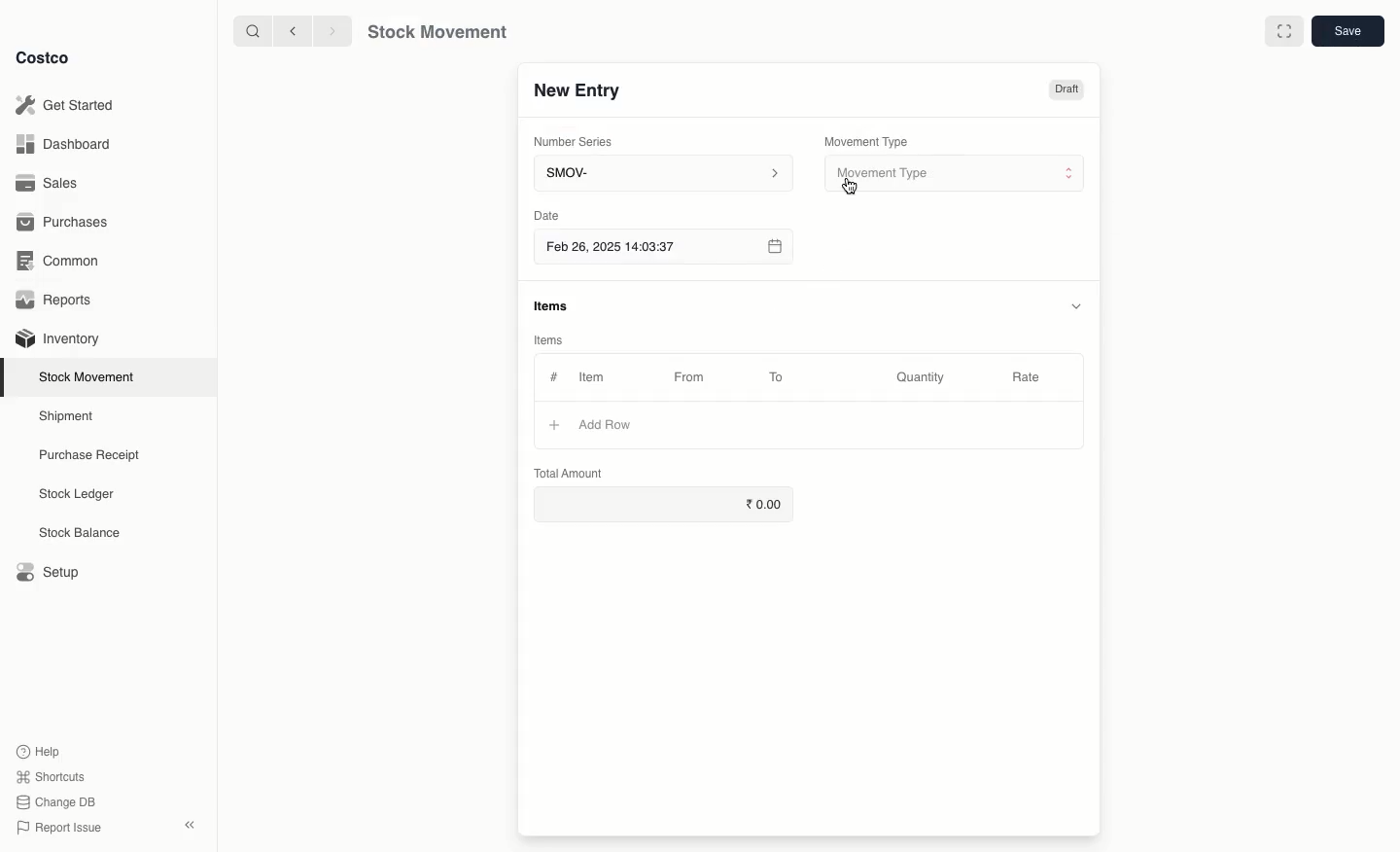 The width and height of the screenshot is (1400, 852). Describe the element at coordinates (662, 248) in the screenshot. I see `Feb 26, 2025 14:03:37` at that location.